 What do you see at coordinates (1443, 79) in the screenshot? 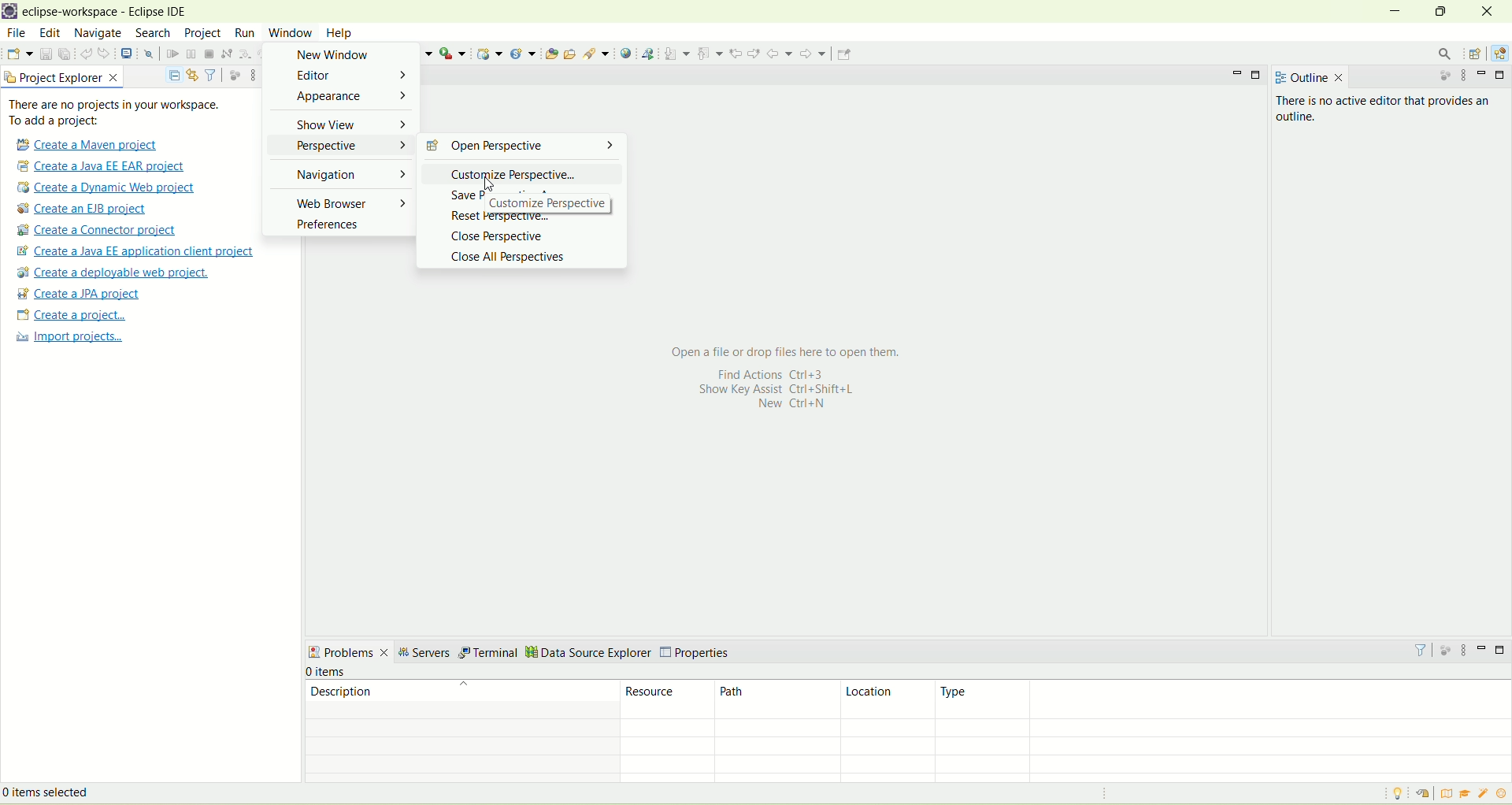
I see `focus on active task` at bounding box center [1443, 79].